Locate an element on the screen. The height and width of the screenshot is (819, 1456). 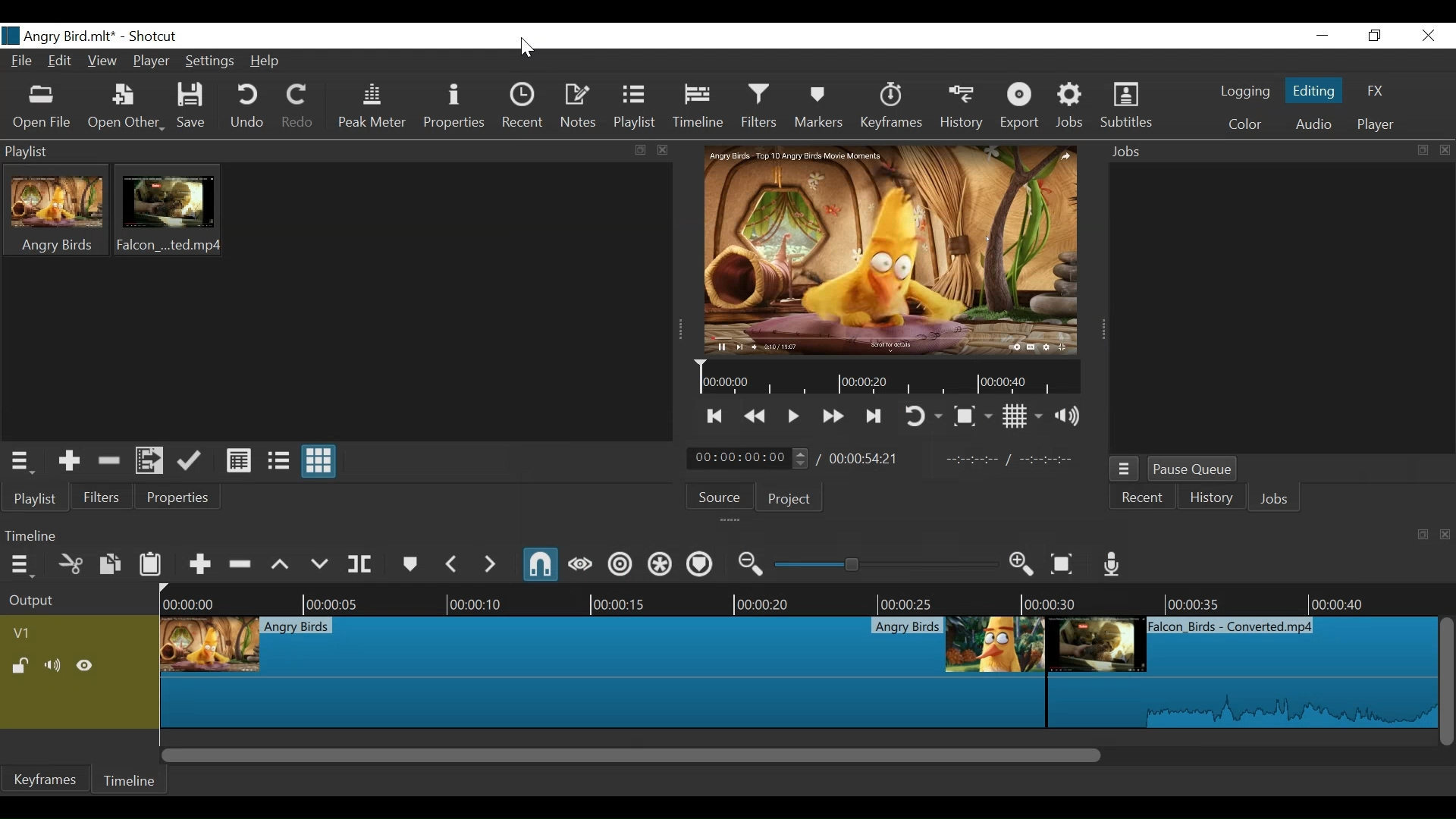
Redo is located at coordinates (295, 107).